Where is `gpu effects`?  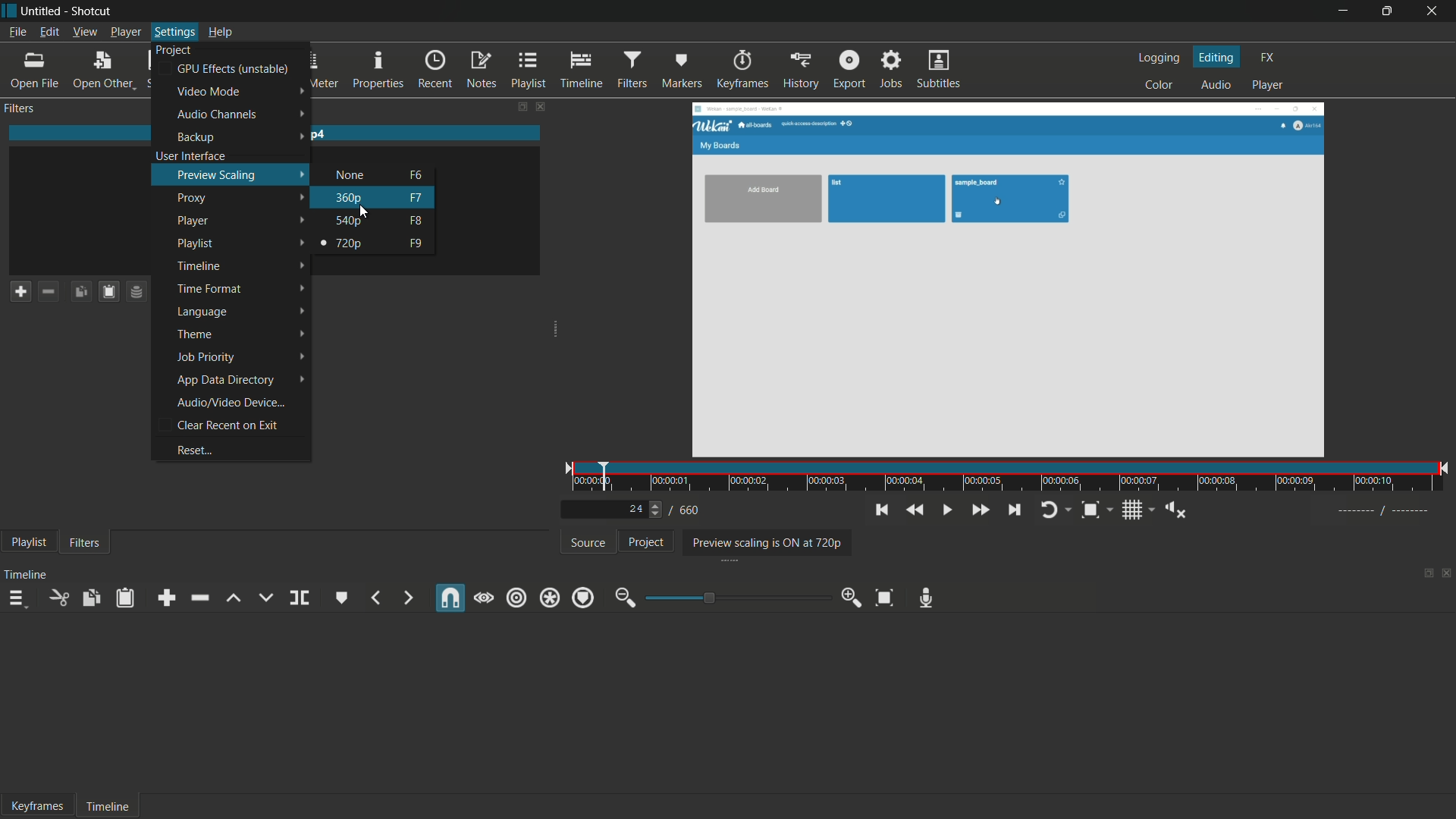 gpu effects is located at coordinates (232, 69).